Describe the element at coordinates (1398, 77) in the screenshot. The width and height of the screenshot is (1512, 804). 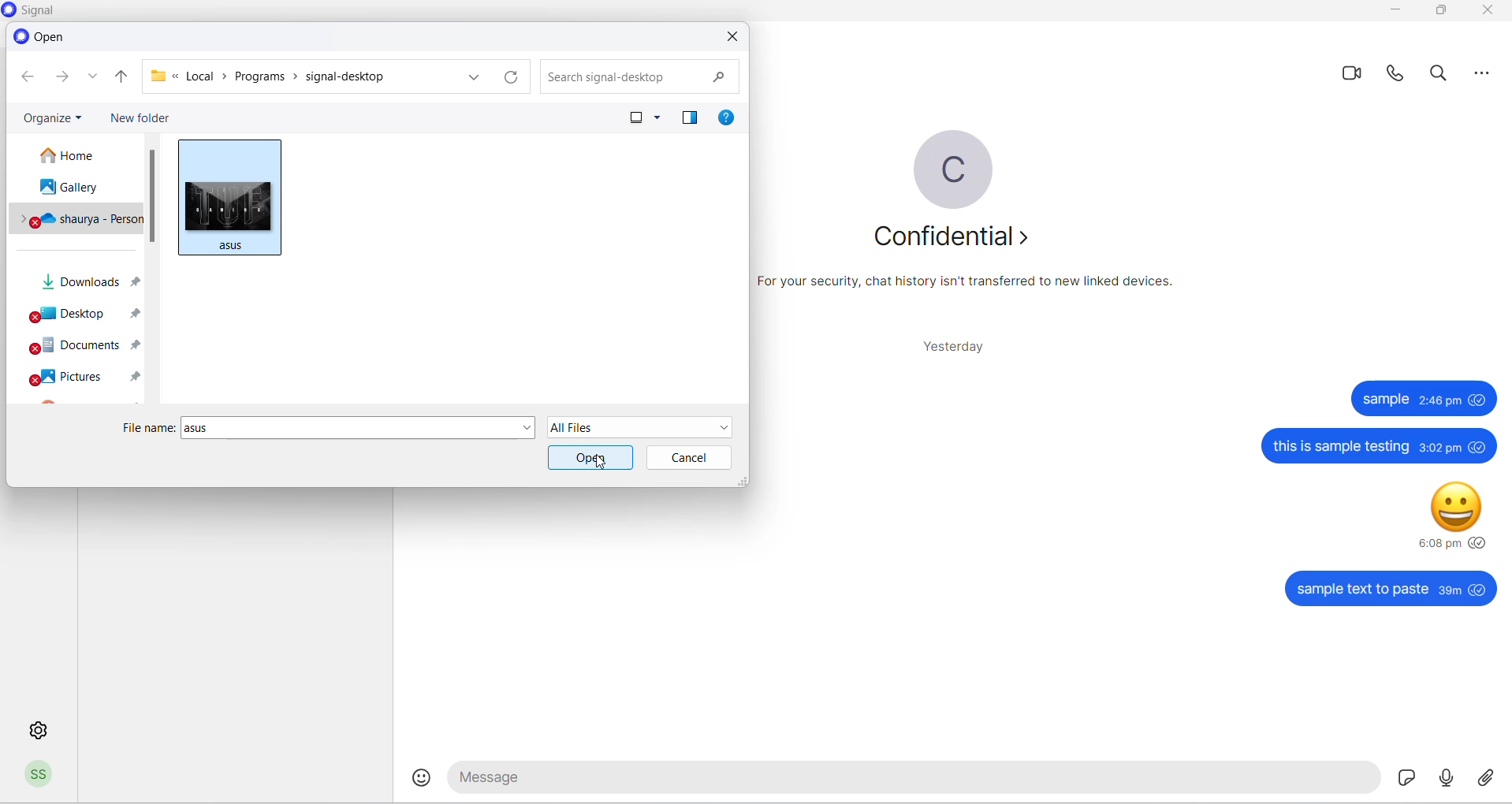
I see `voice call` at that location.